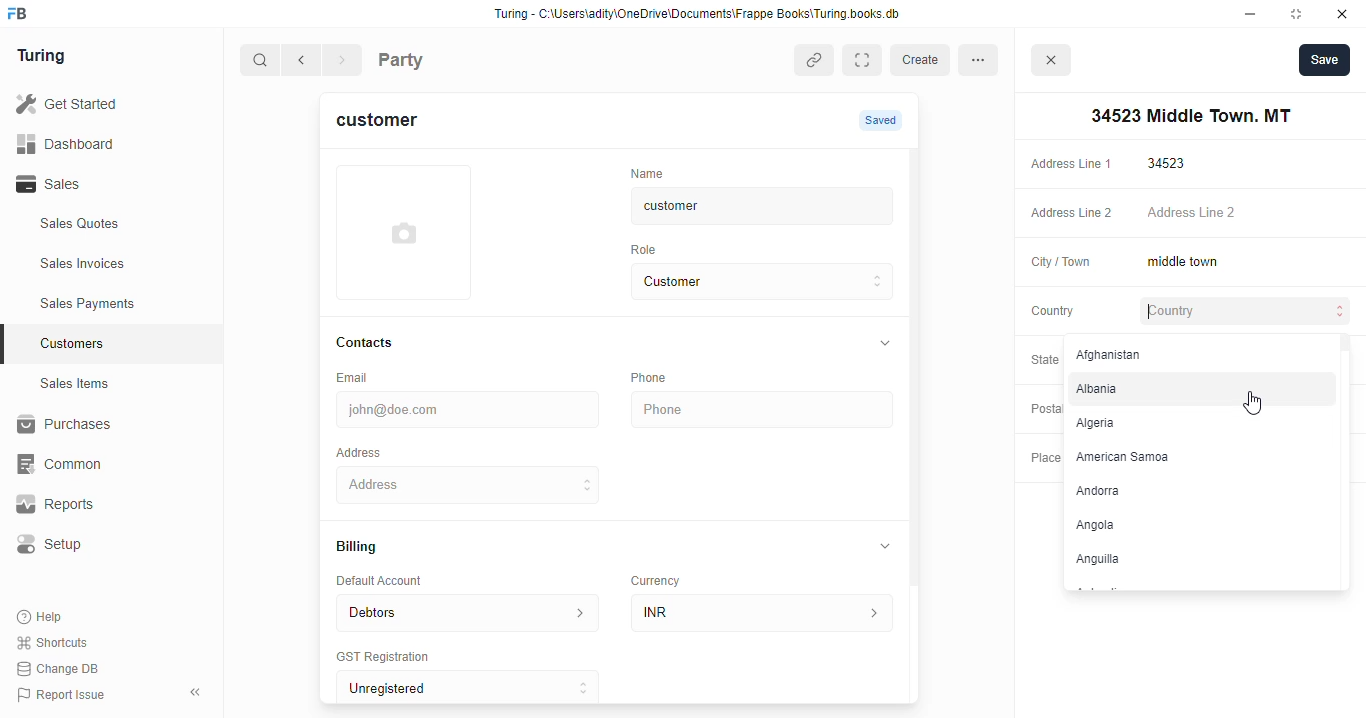  What do you see at coordinates (123, 341) in the screenshot?
I see `Customers` at bounding box center [123, 341].